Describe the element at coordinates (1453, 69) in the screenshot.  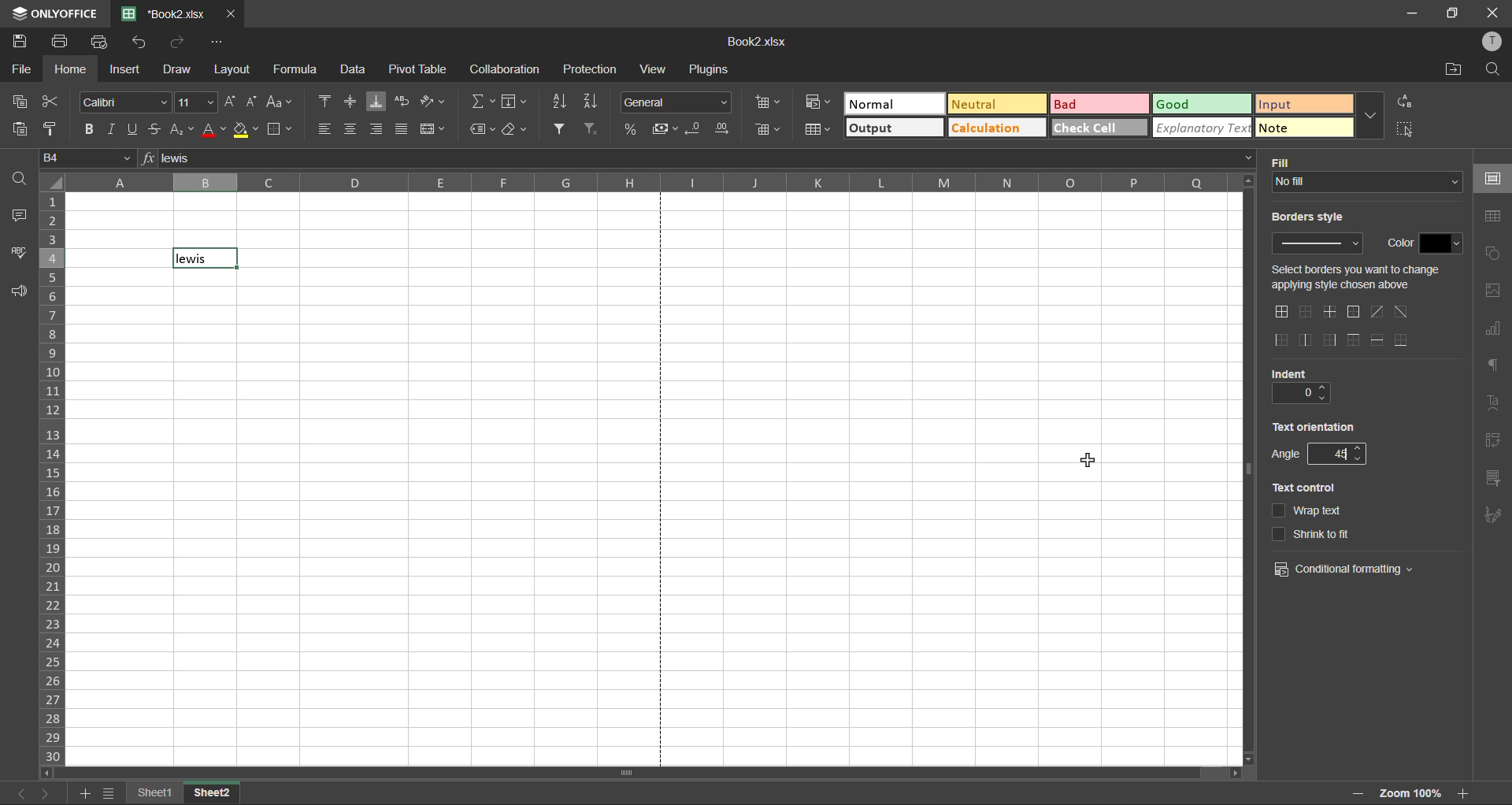
I see `open location` at that location.